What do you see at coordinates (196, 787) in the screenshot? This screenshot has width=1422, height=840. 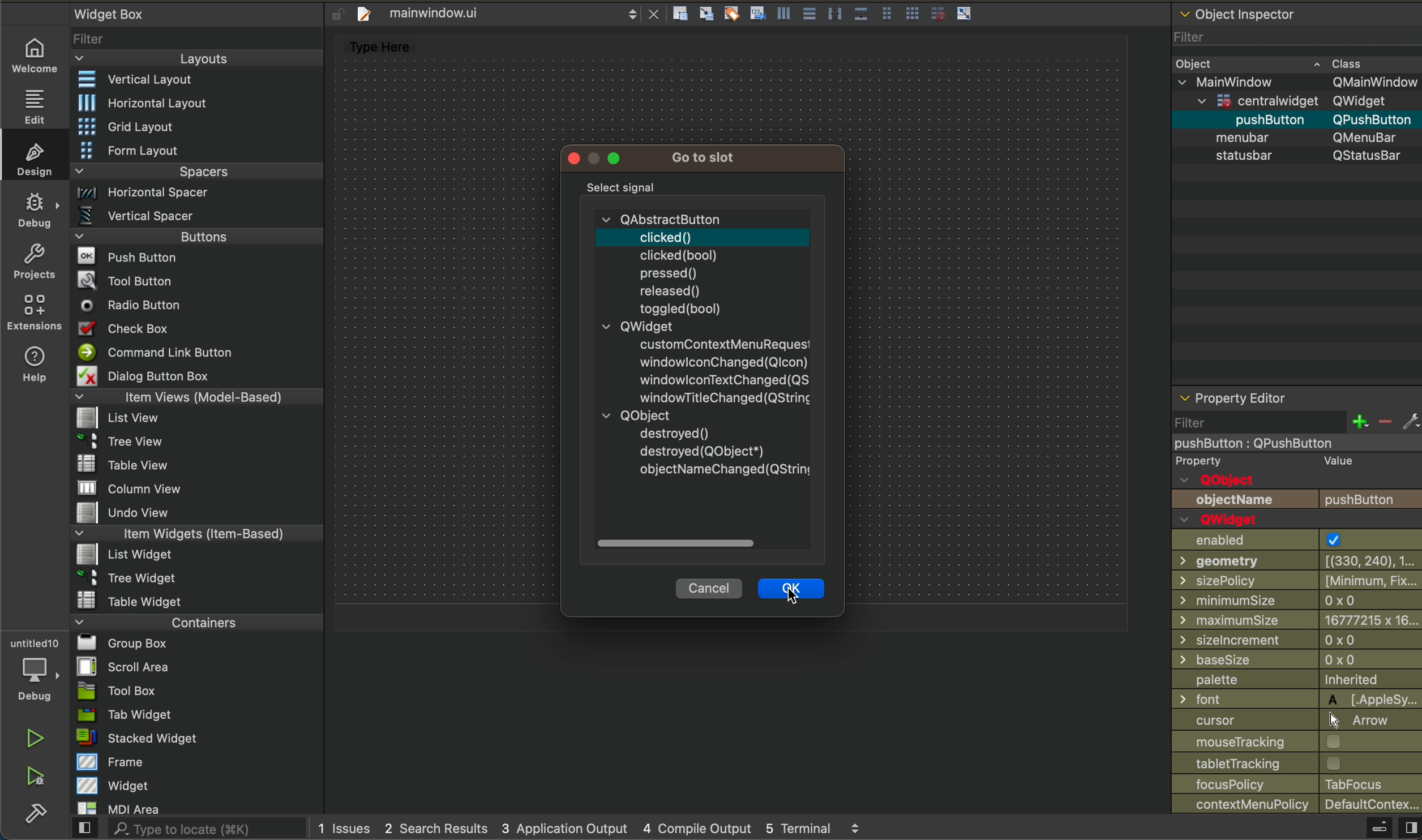 I see `widget` at bounding box center [196, 787].